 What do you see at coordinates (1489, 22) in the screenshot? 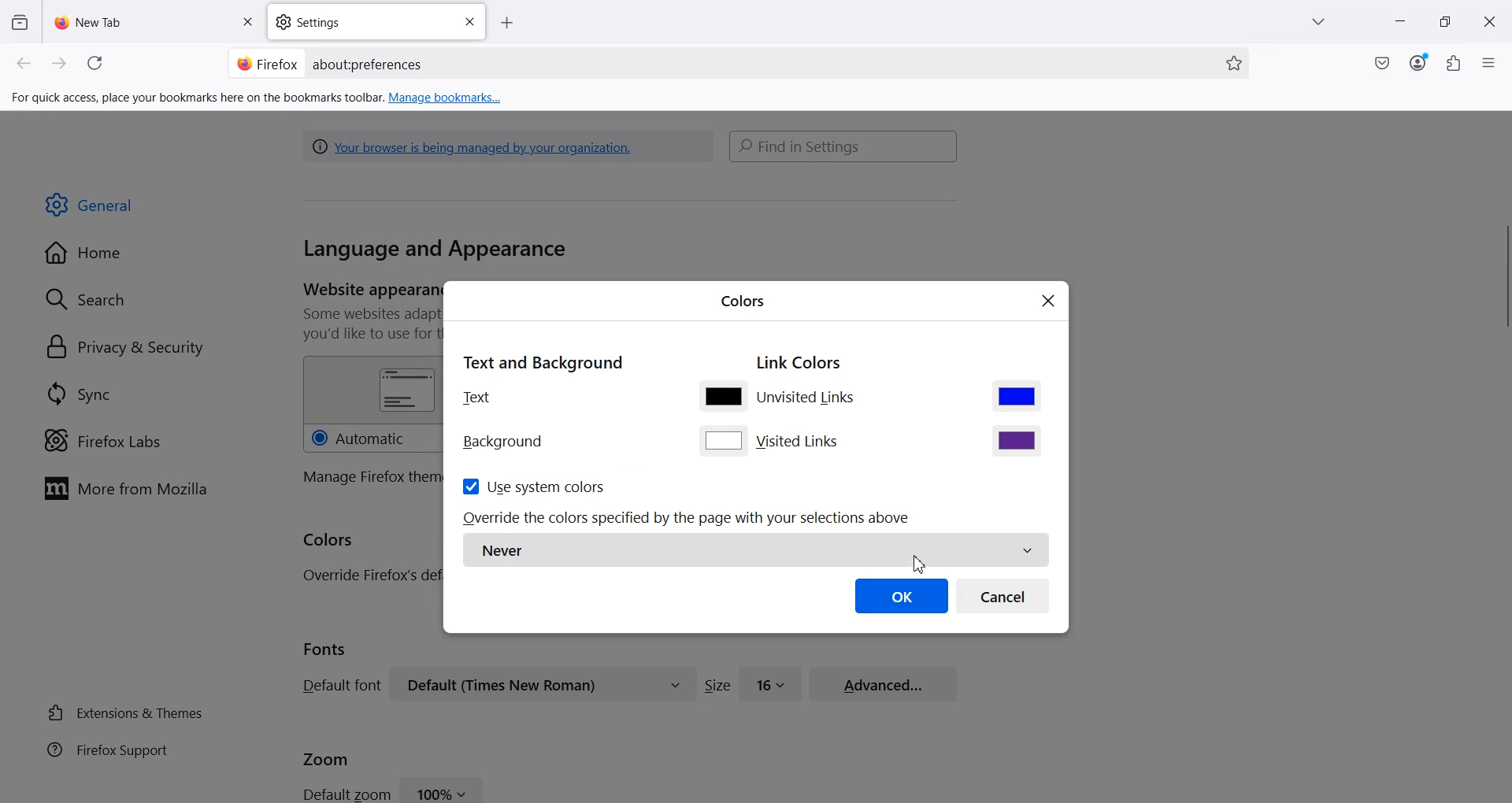
I see `Close` at bounding box center [1489, 22].